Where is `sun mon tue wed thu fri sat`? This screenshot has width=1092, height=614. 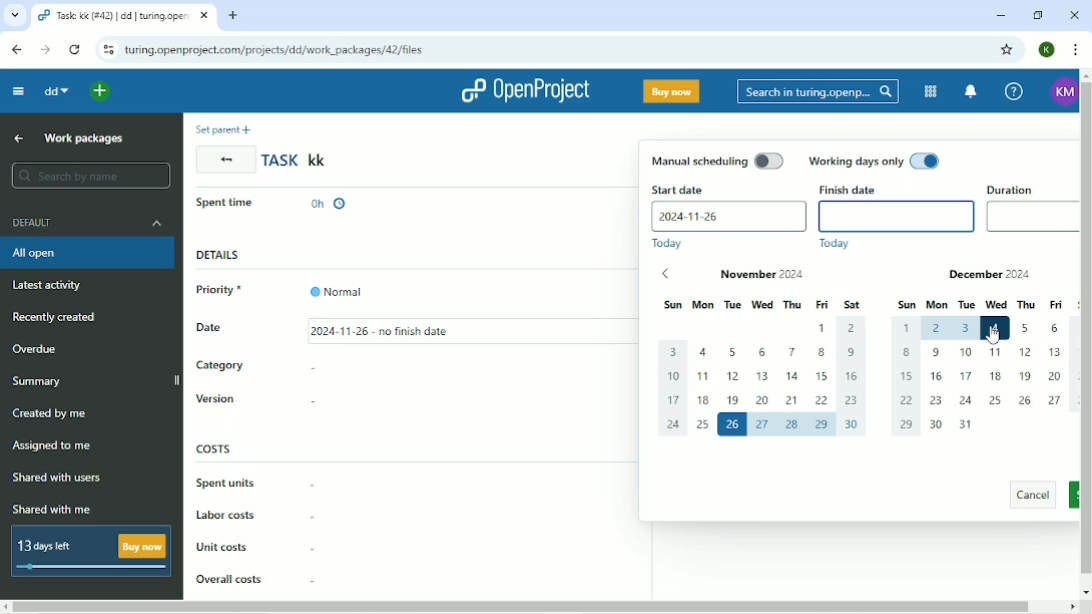 sun mon tue wed thu fri sat is located at coordinates (980, 303).